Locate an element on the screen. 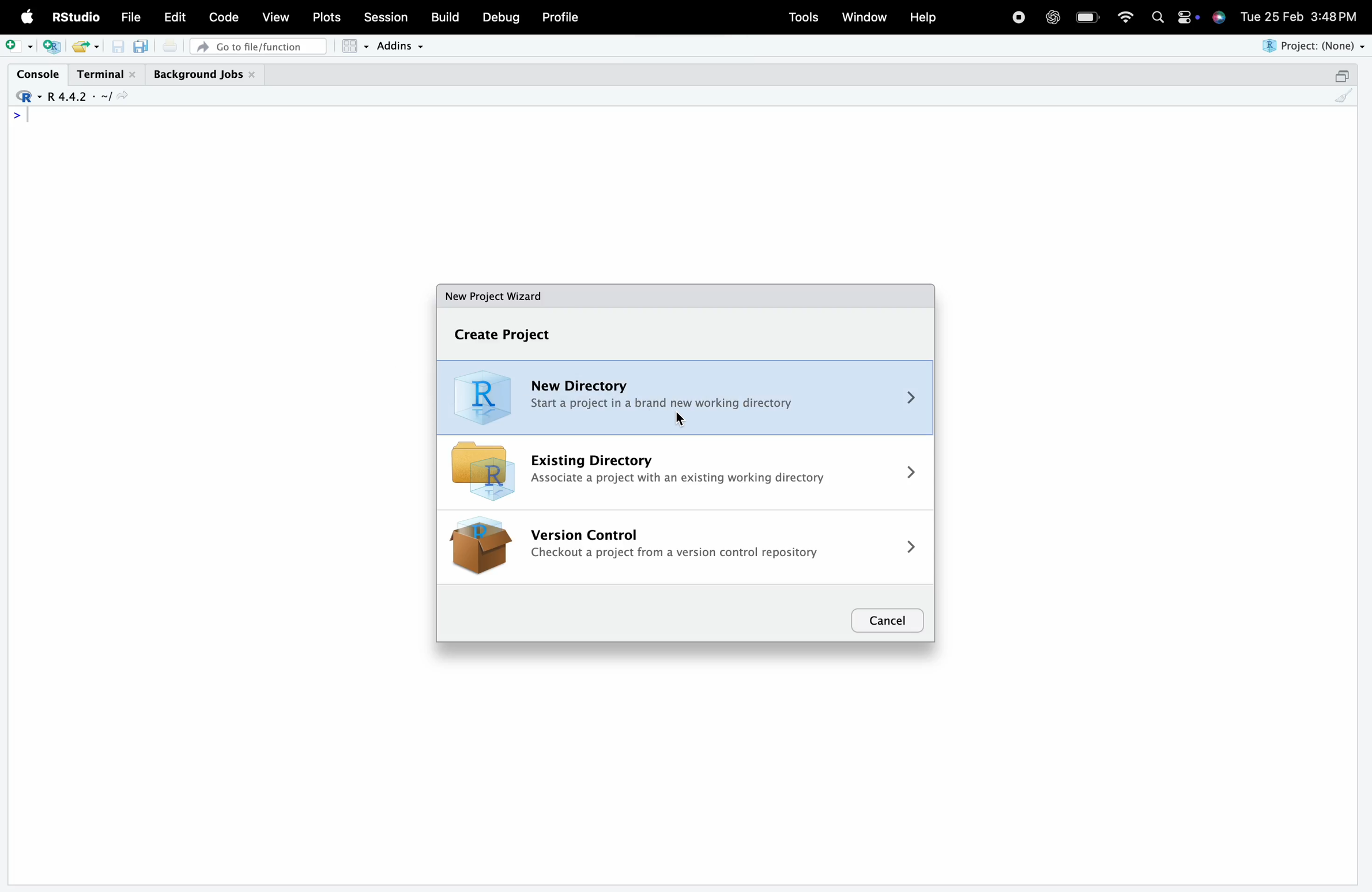 This screenshot has height=892, width=1372. open an existing file is located at coordinates (79, 47).